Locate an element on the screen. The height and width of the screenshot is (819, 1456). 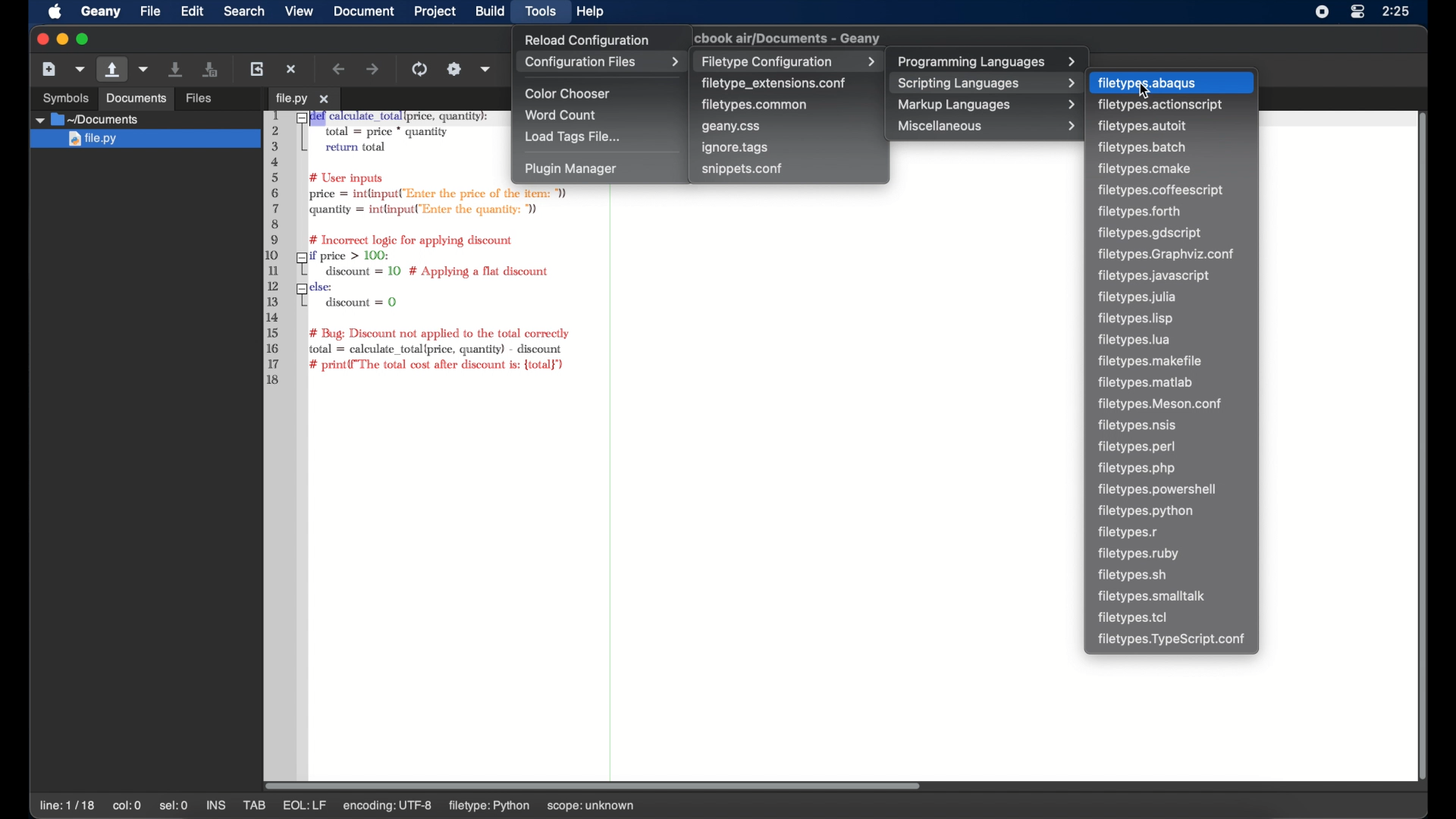
filetypes is located at coordinates (1150, 361).